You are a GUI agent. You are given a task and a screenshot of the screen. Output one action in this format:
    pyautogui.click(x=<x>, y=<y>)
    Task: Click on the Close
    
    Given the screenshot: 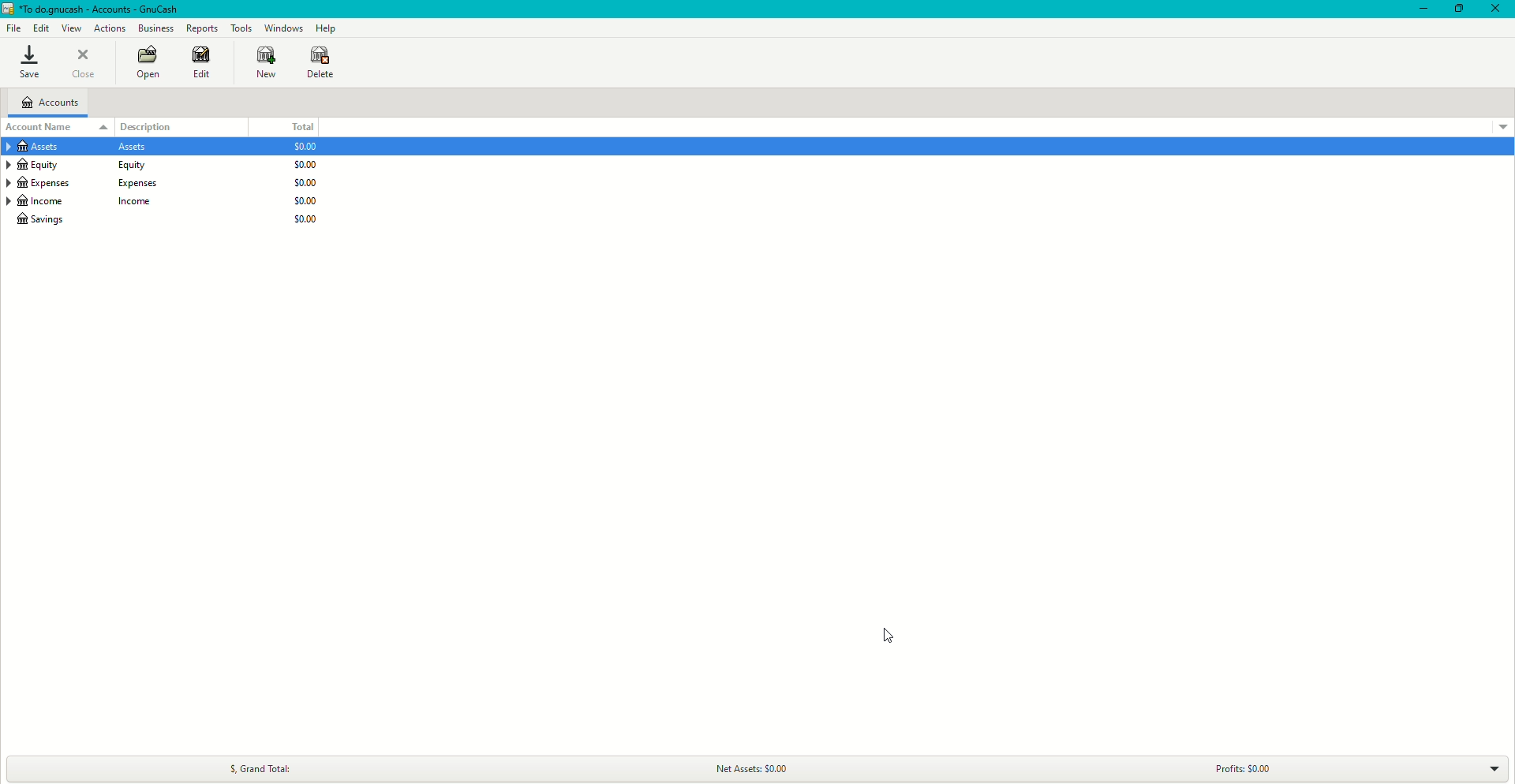 What is the action you would take?
    pyautogui.click(x=1495, y=9)
    